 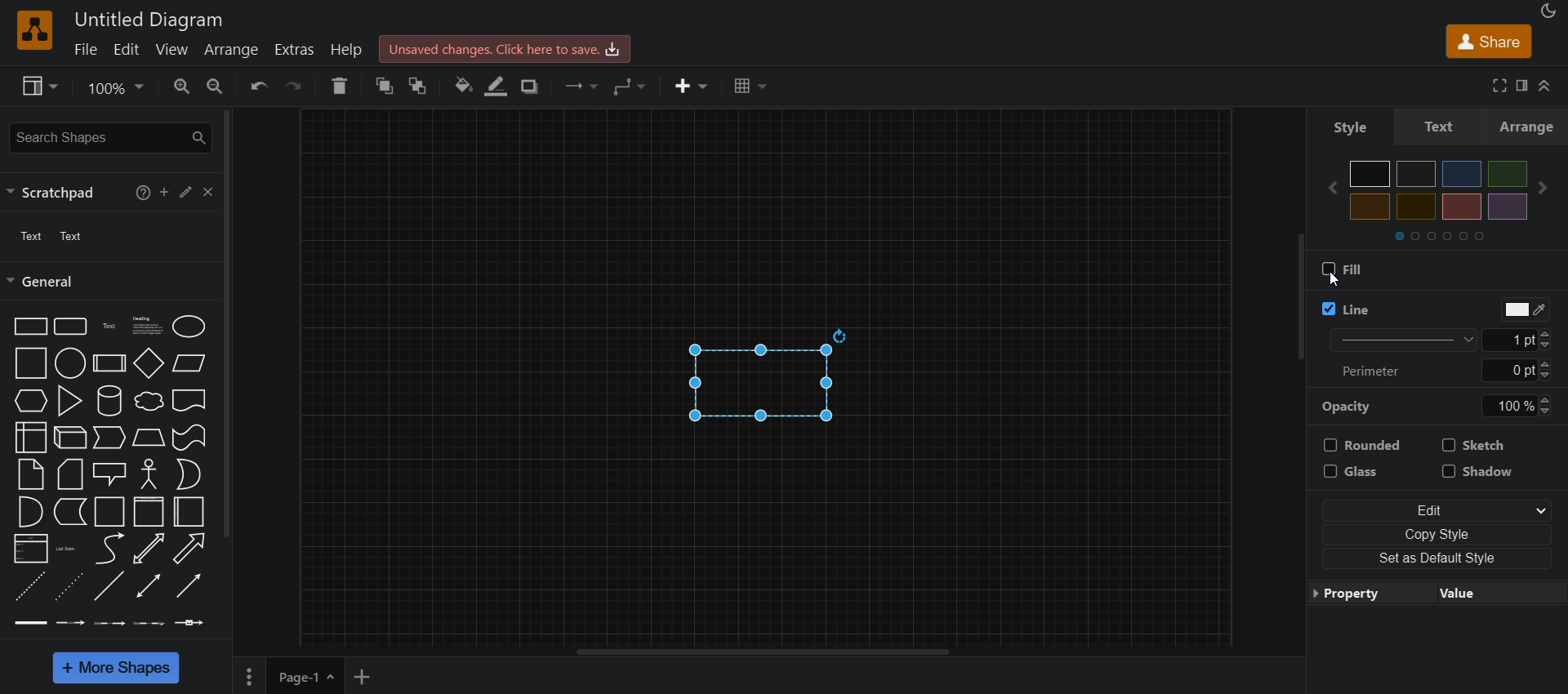 What do you see at coordinates (1441, 533) in the screenshot?
I see `copy style` at bounding box center [1441, 533].